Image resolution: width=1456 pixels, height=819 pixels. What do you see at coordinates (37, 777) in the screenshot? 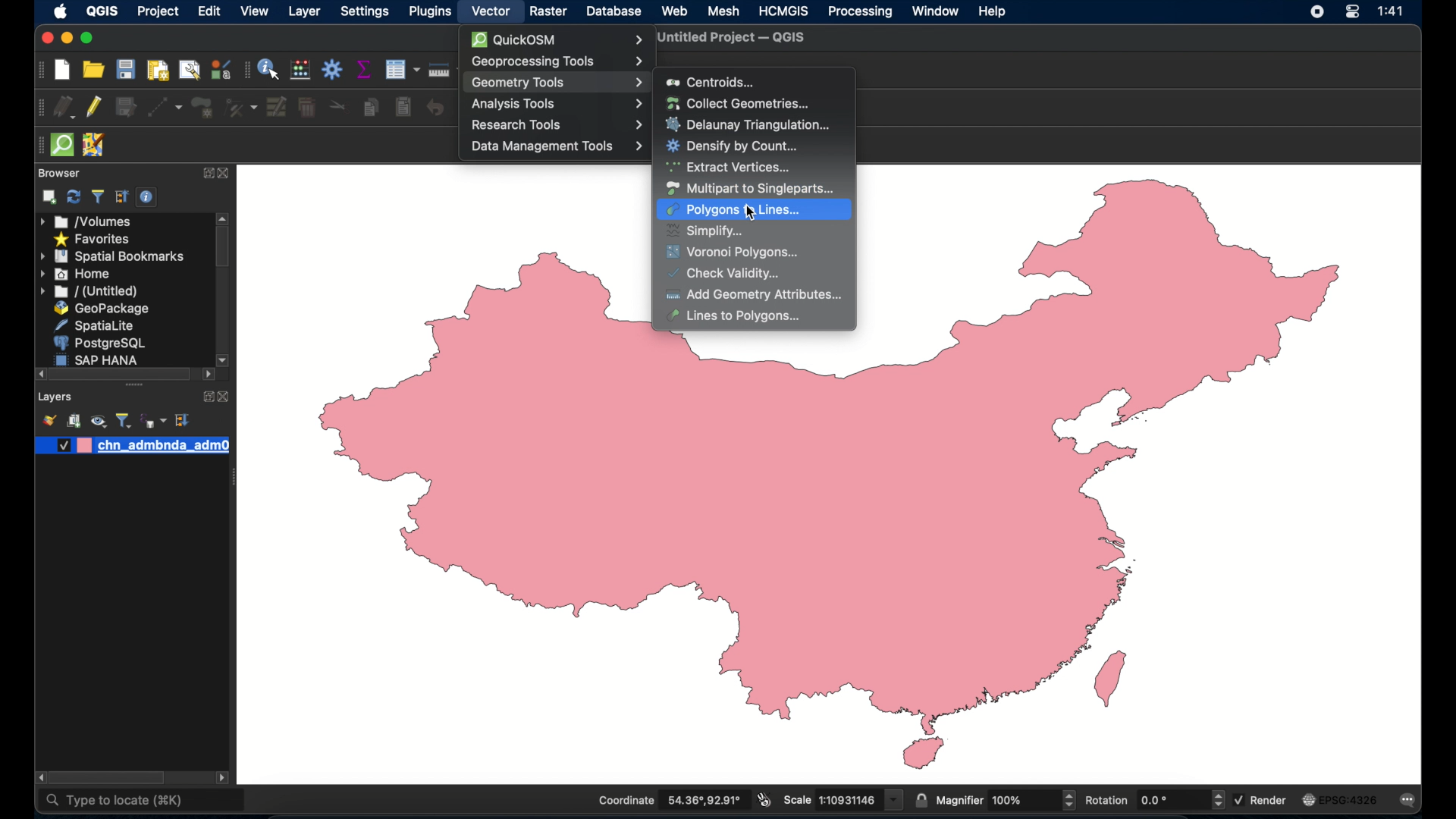
I see `scroll right arrow` at bounding box center [37, 777].